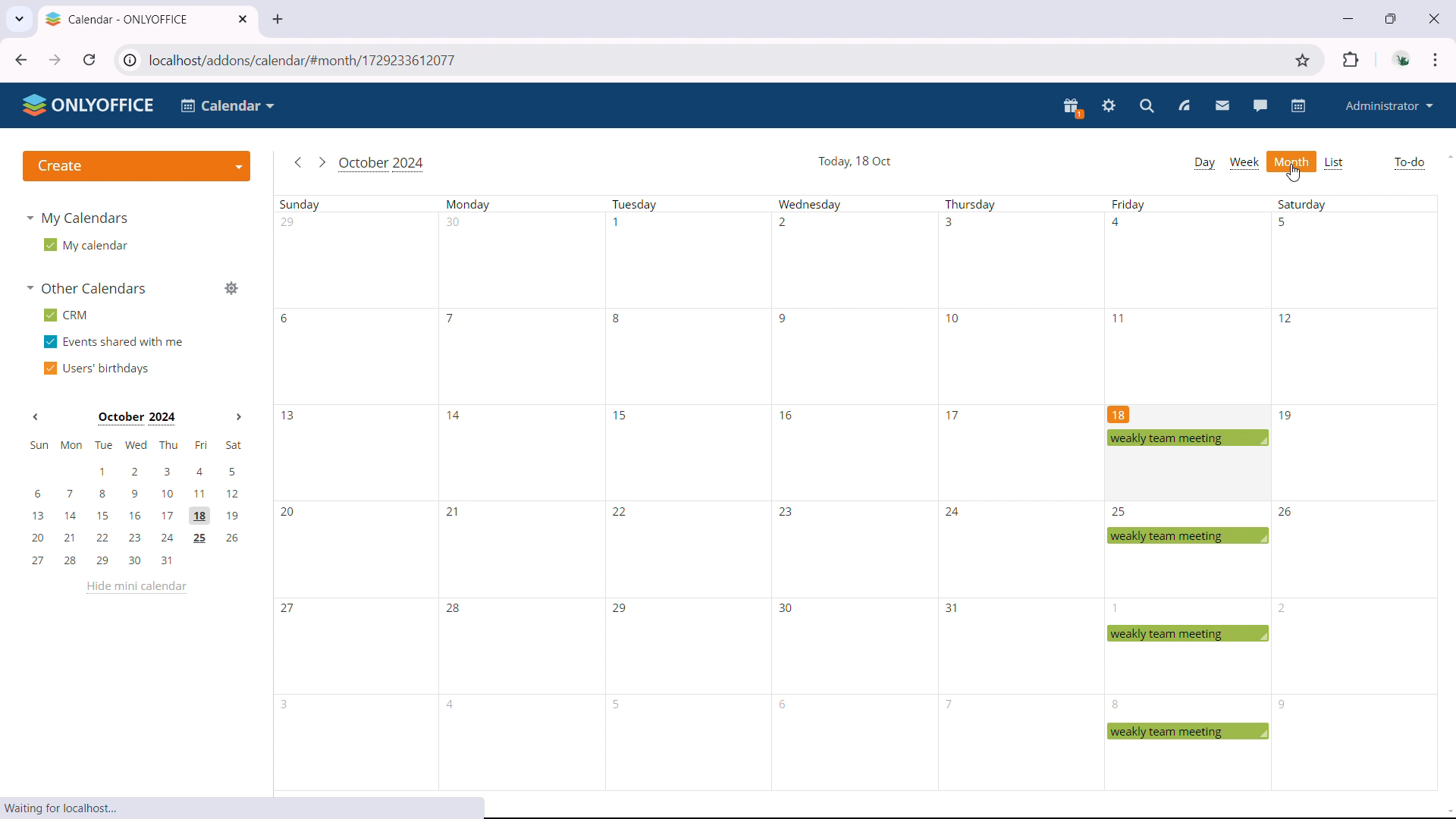  Describe the element at coordinates (323, 162) in the screenshot. I see `go to next month` at that location.